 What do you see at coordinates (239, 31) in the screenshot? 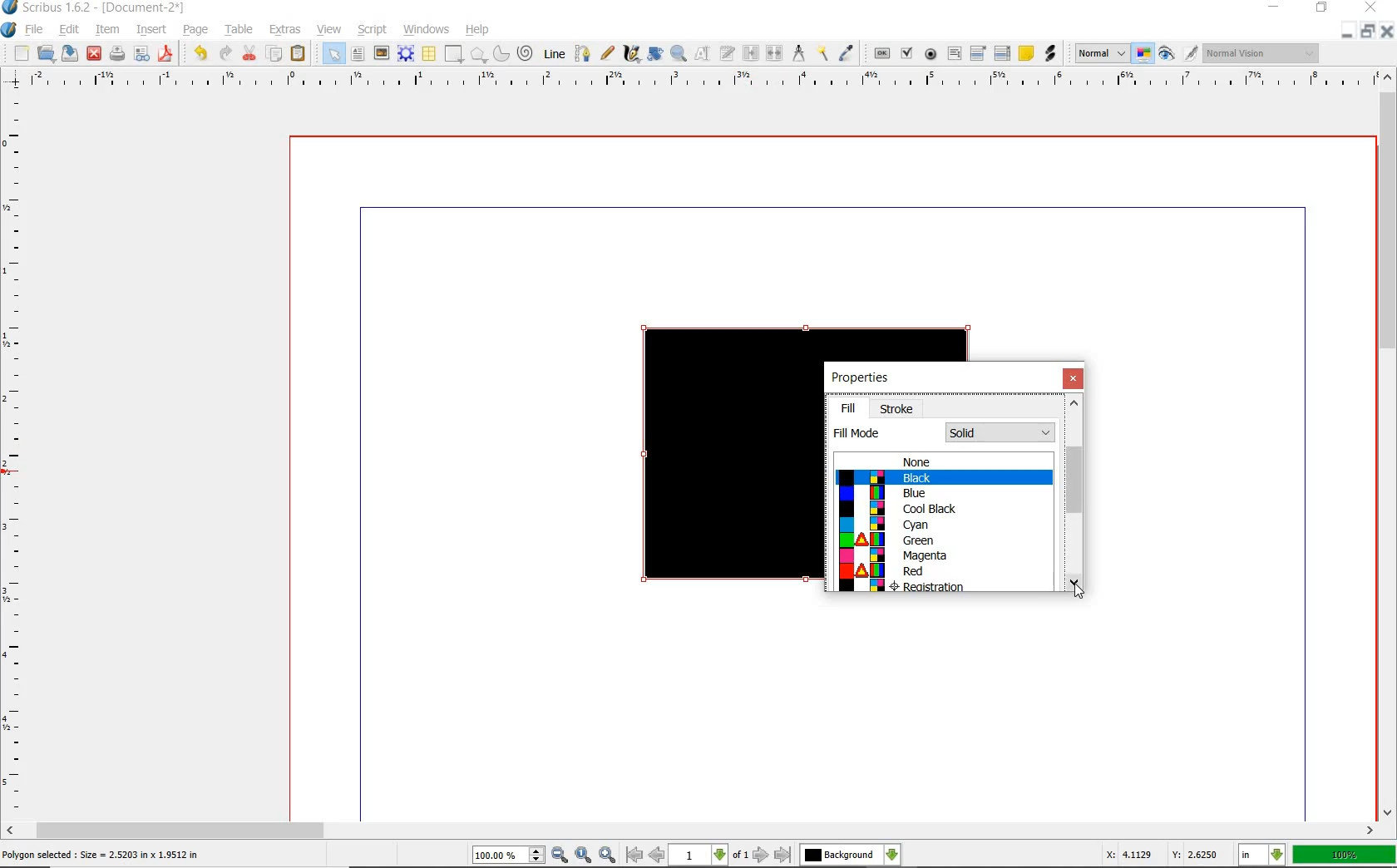
I see `table` at bounding box center [239, 31].